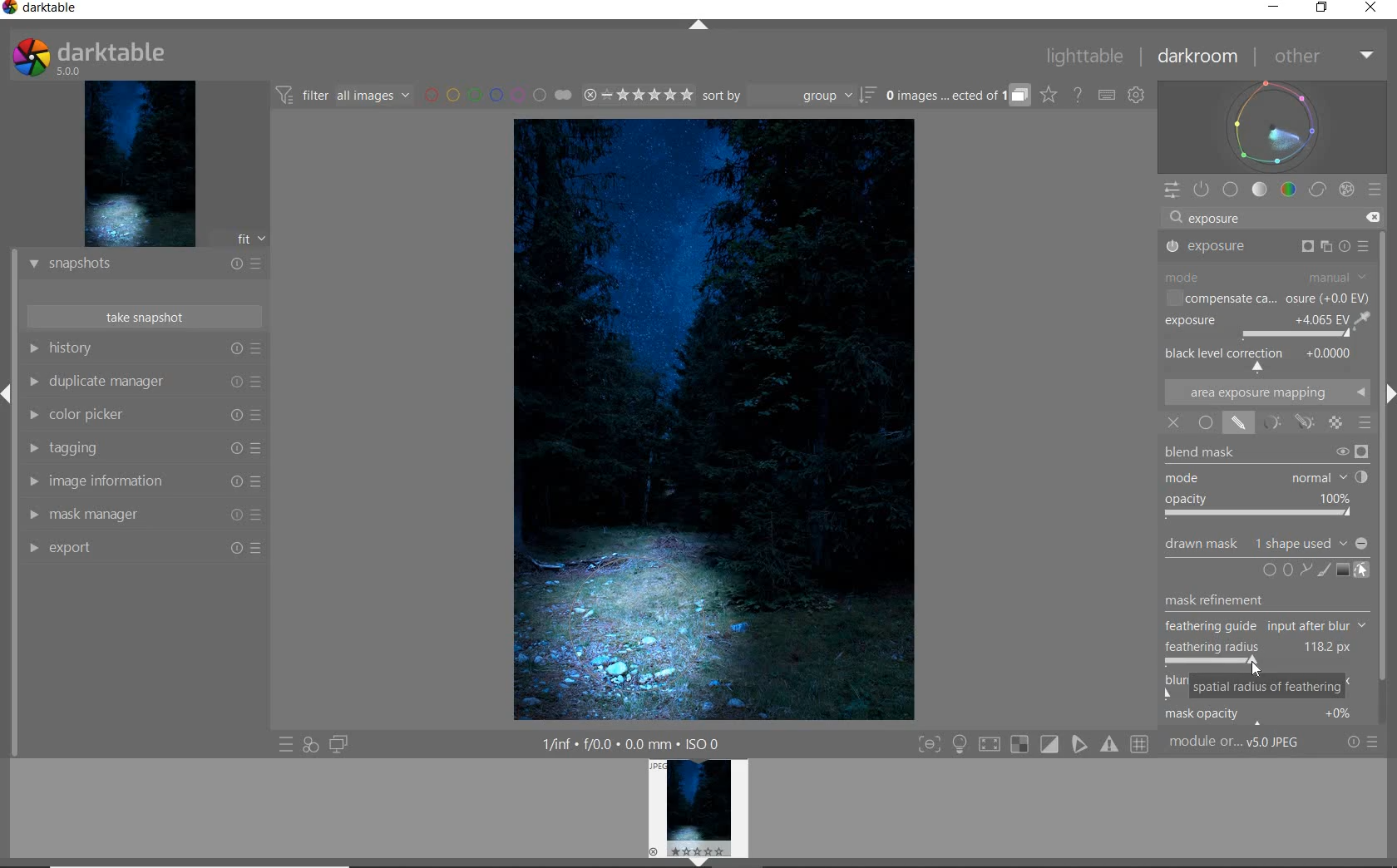 This screenshot has height=868, width=1397. I want to click on DELETE, so click(1373, 218).